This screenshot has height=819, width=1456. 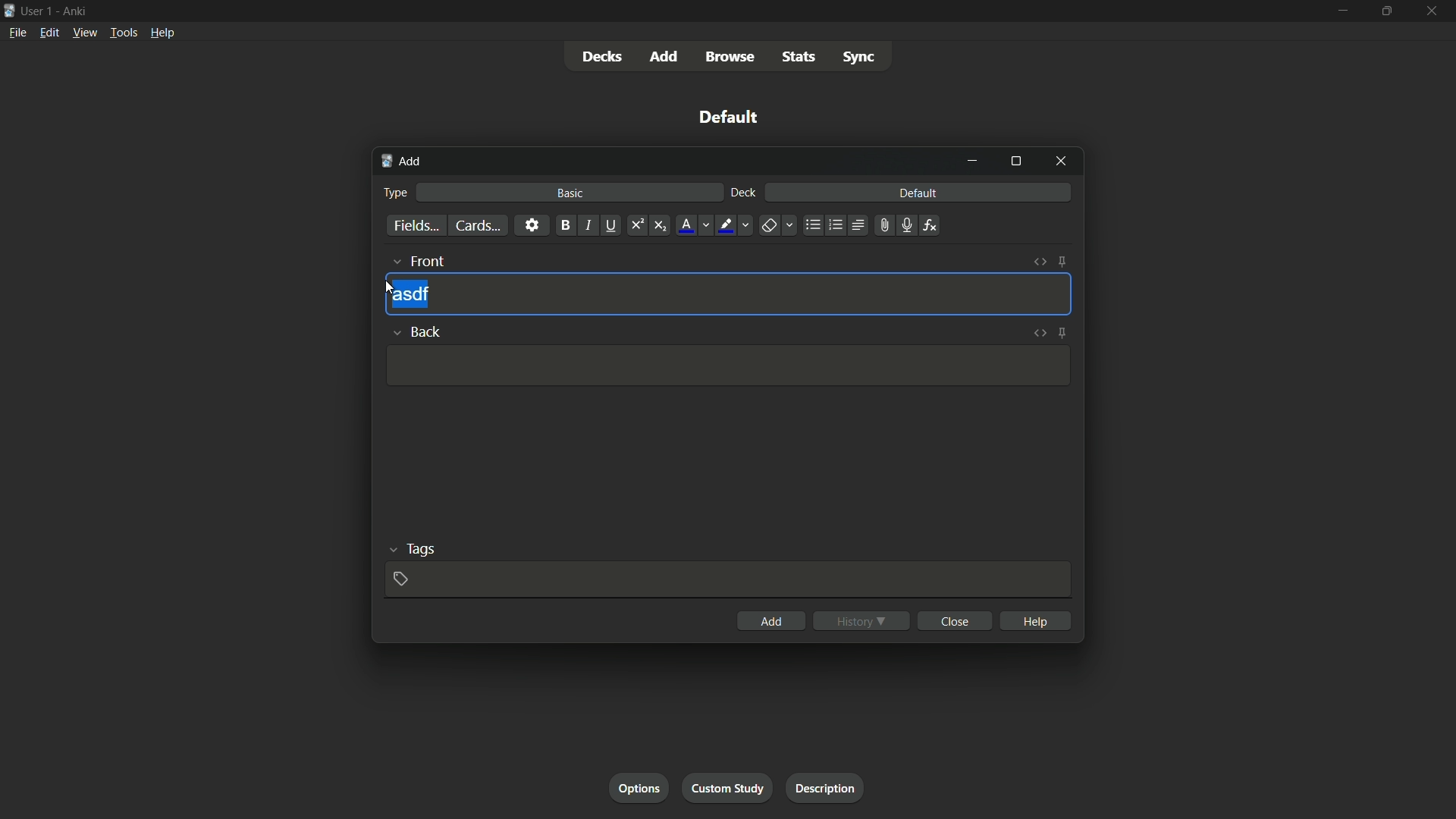 What do you see at coordinates (416, 330) in the screenshot?
I see `back` at bounding box center [416, 330].